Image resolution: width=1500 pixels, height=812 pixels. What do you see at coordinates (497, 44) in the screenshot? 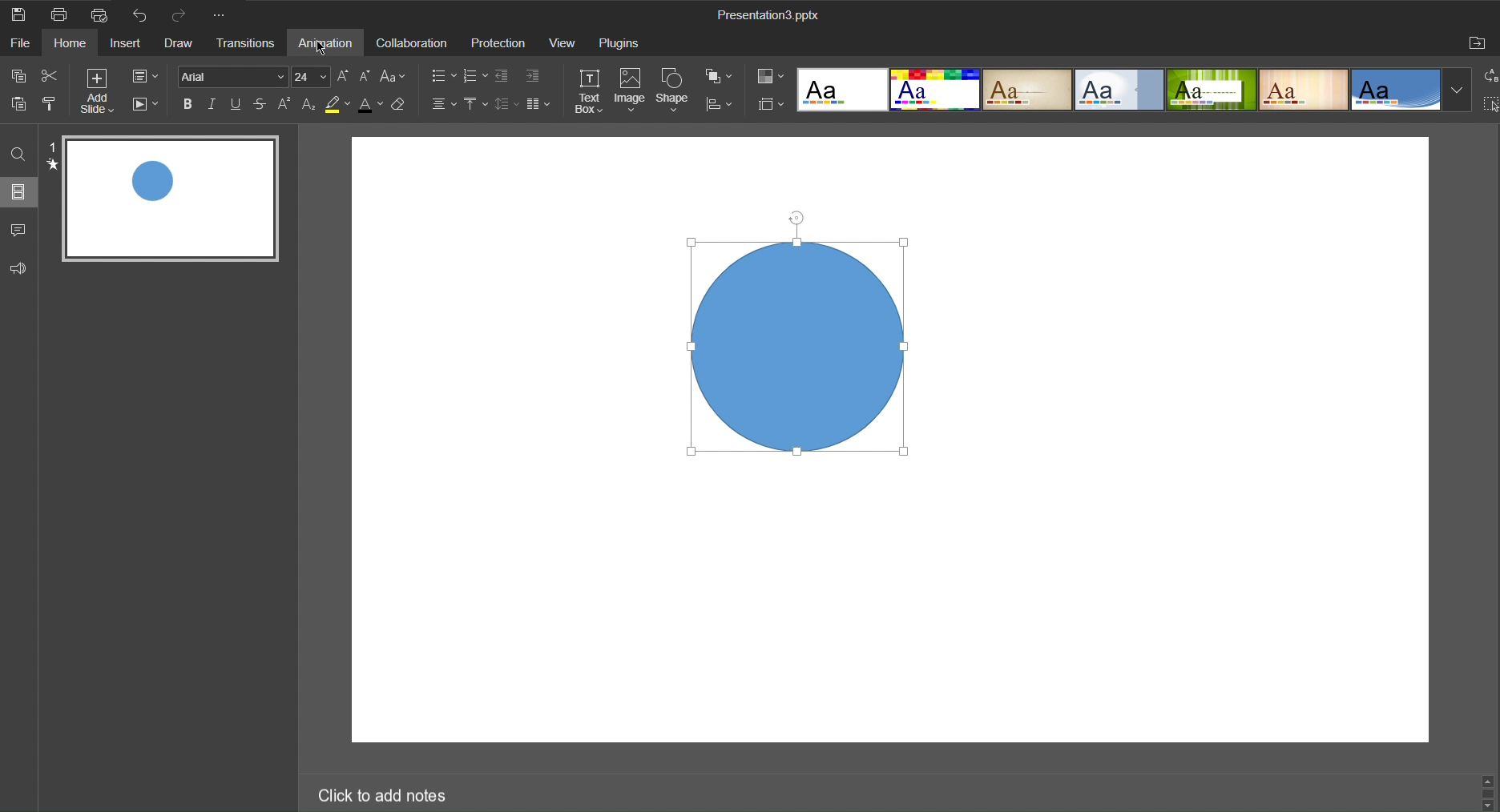
I see `Protection` at bounding box center [497, 44].